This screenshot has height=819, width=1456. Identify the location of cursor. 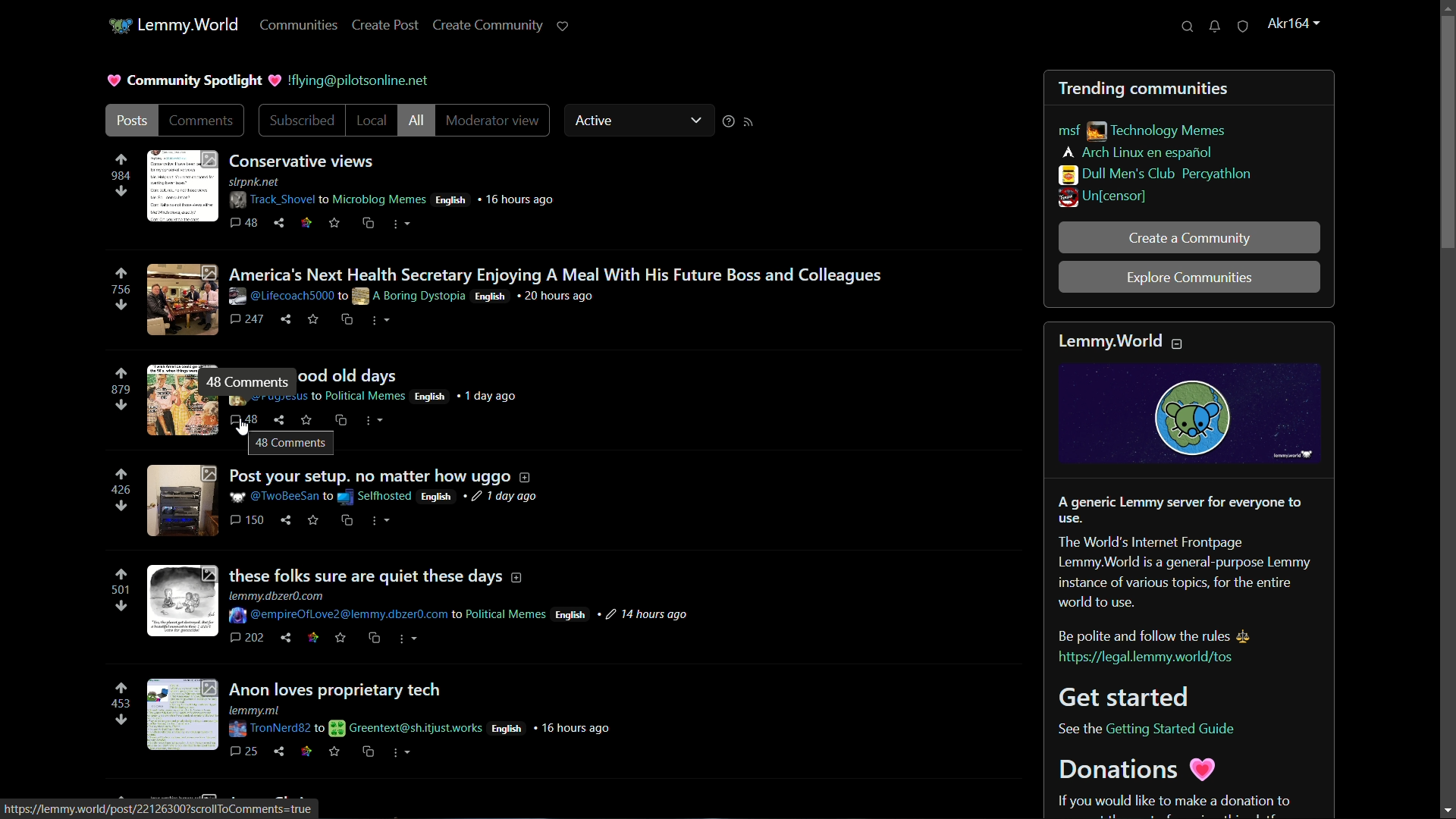
(243, 424).